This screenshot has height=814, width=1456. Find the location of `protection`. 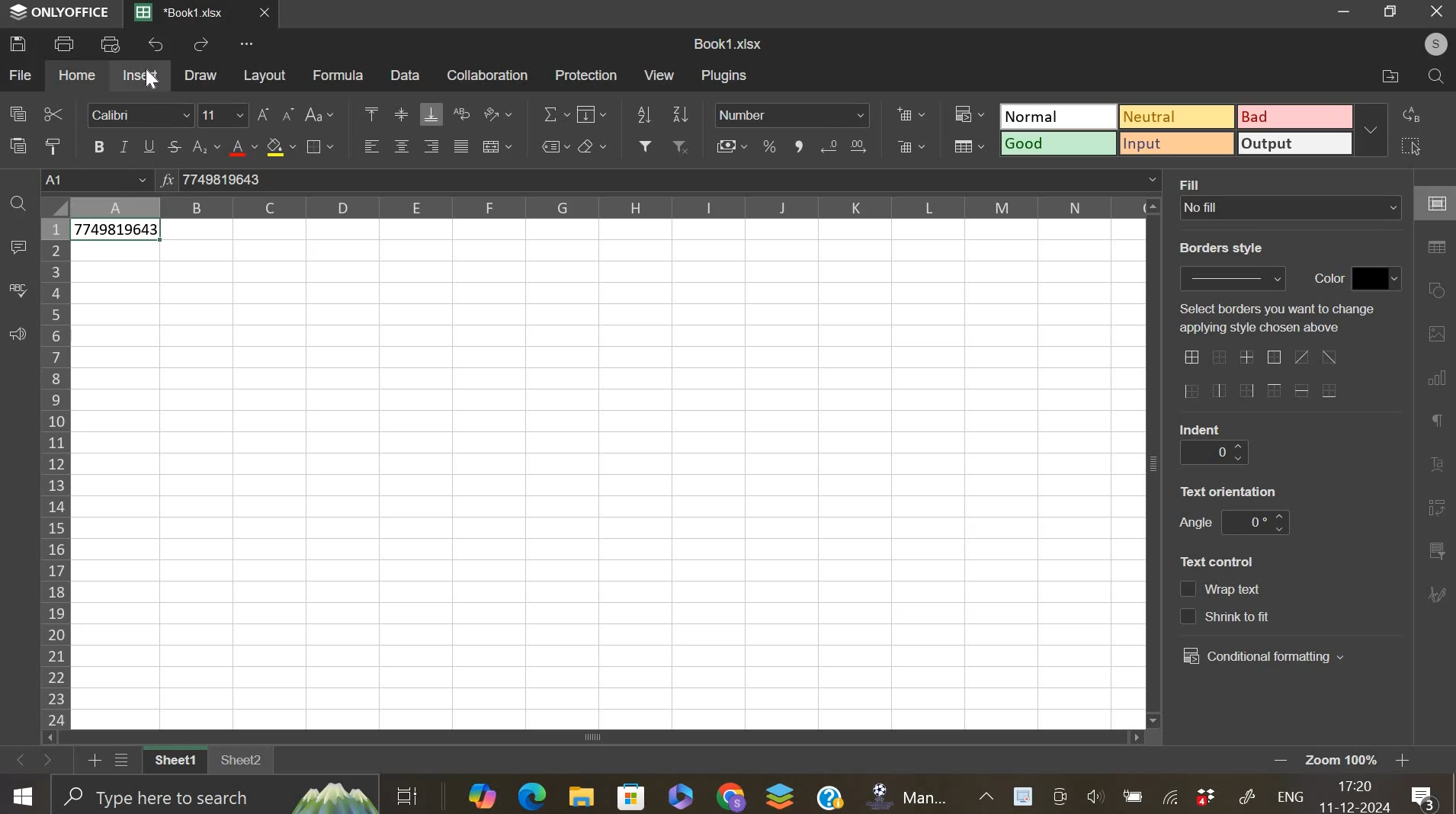

protection is located at coordinates (586, 75).